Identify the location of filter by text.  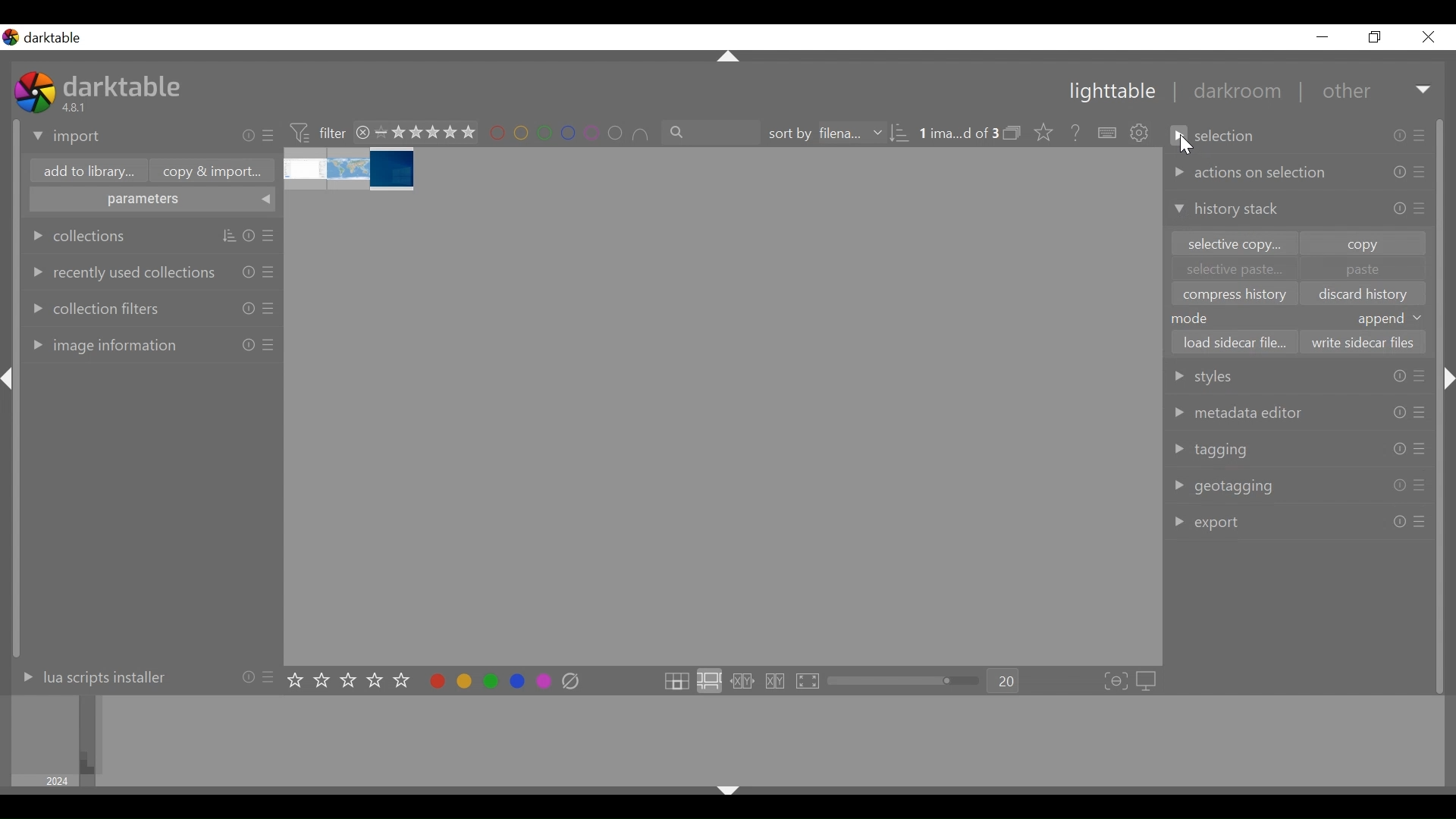
(712, 133).